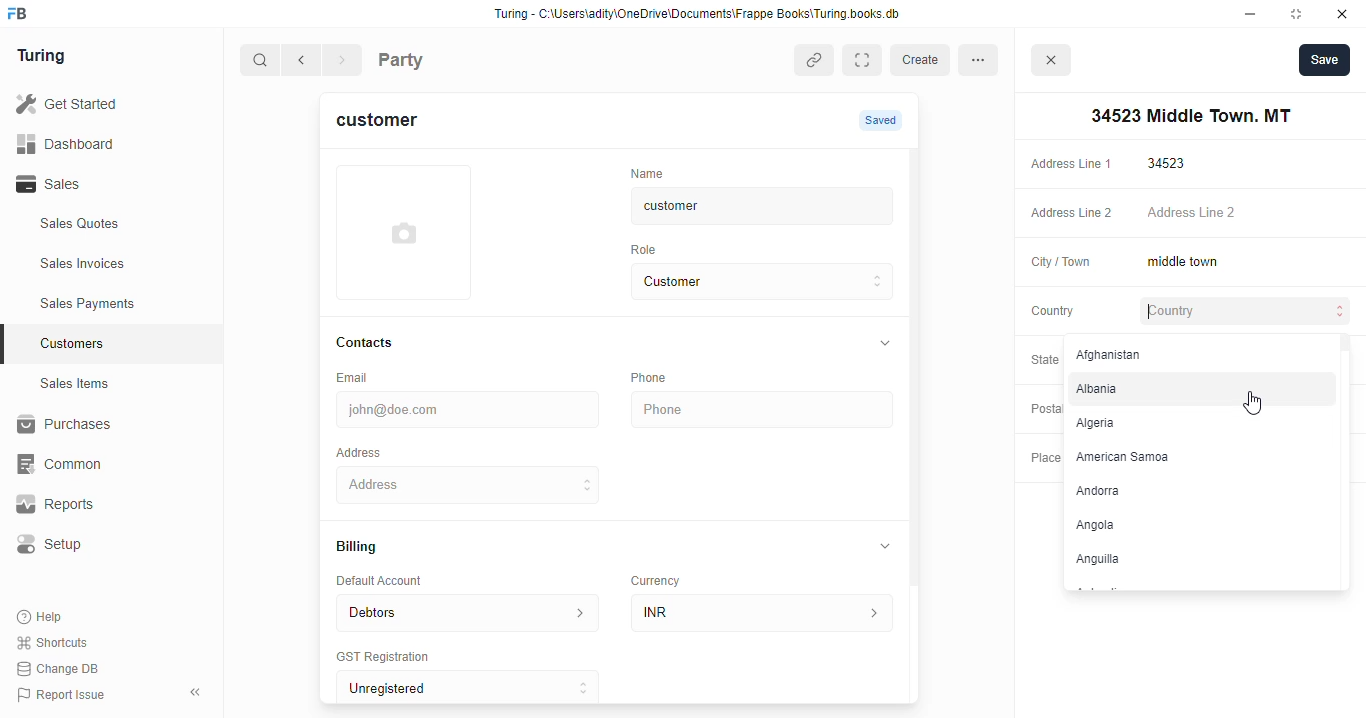 The image size is (1366, 718). What do you see at coordinates (1324, 59) in the screenshot?
I see `Save` at bounding box center [1324, 59].